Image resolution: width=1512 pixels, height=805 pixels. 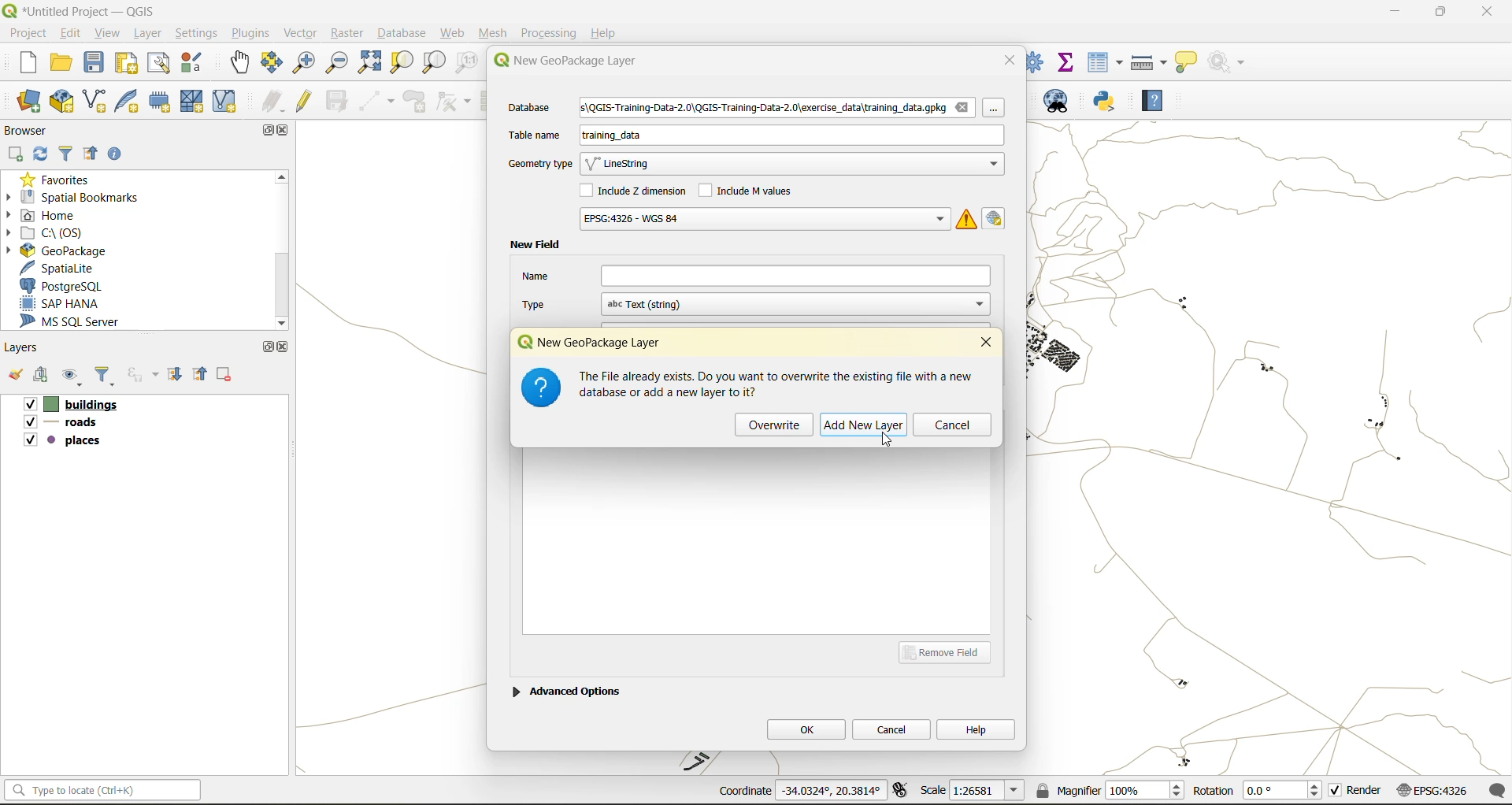 What do you see at coordinates (1436, 791) in the screenshot?
I see `crs (EPSG:4326)` at bounding box center [1436, 791].